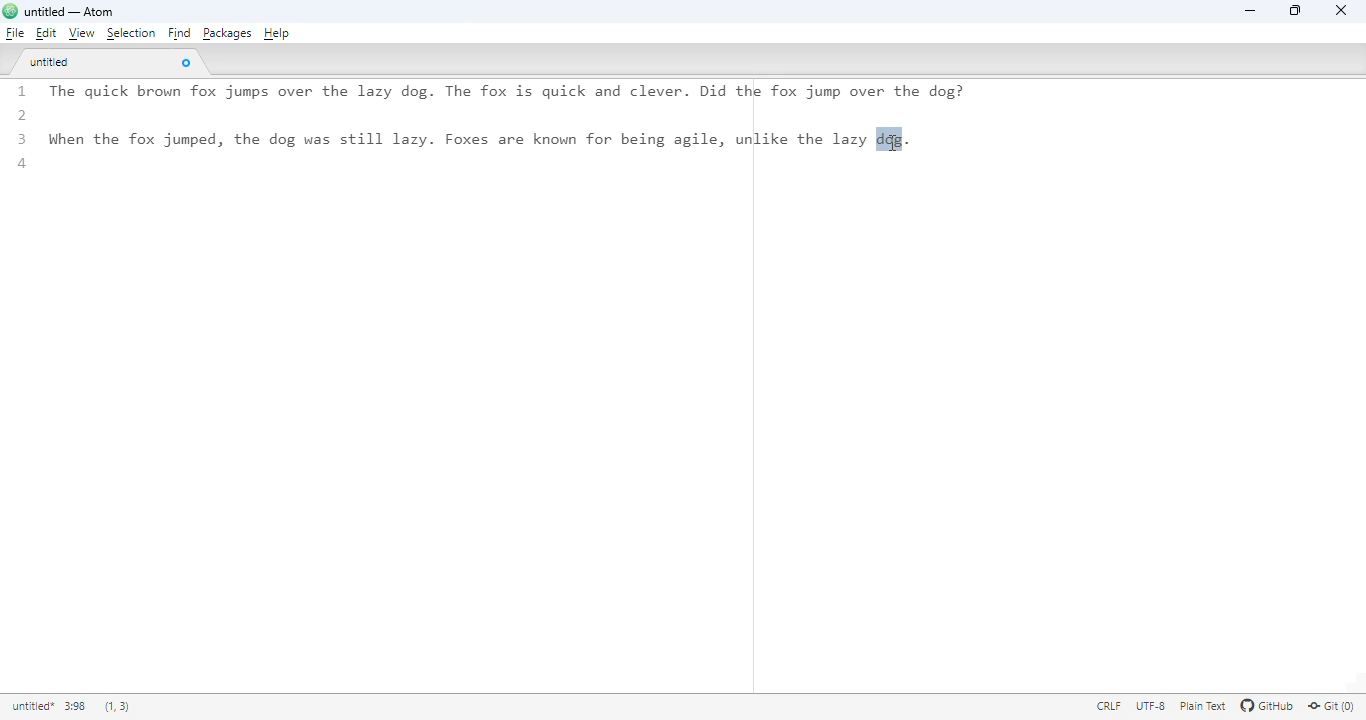 The width and height of the screenshot is (1366, 720). Describe the element at coordinates (1249, 11) in the screenshot. I see `minimize` at that location.